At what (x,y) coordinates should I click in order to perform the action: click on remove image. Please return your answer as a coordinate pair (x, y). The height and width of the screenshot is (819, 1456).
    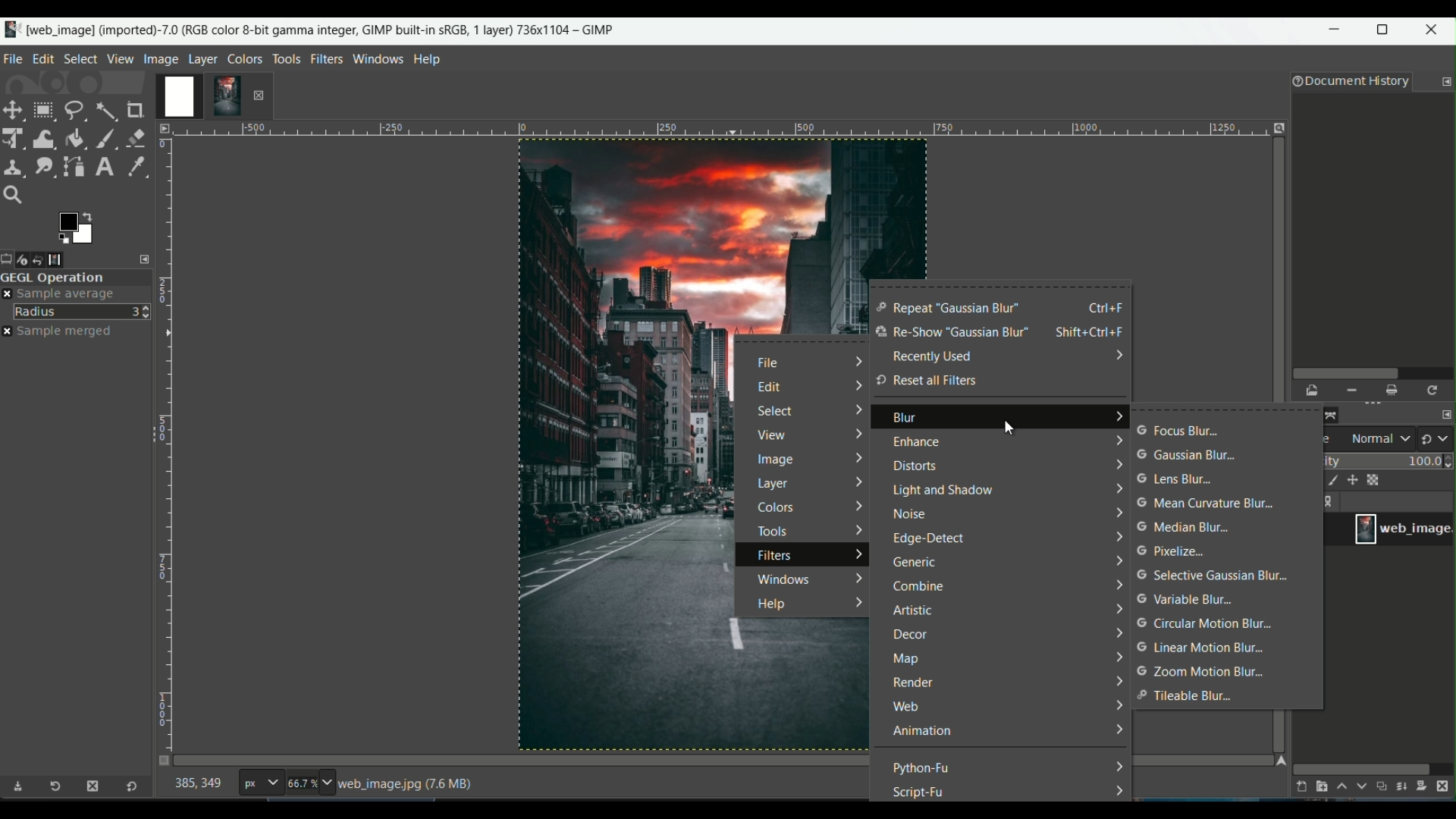
    Looking at the image, I should click on (259, 95).